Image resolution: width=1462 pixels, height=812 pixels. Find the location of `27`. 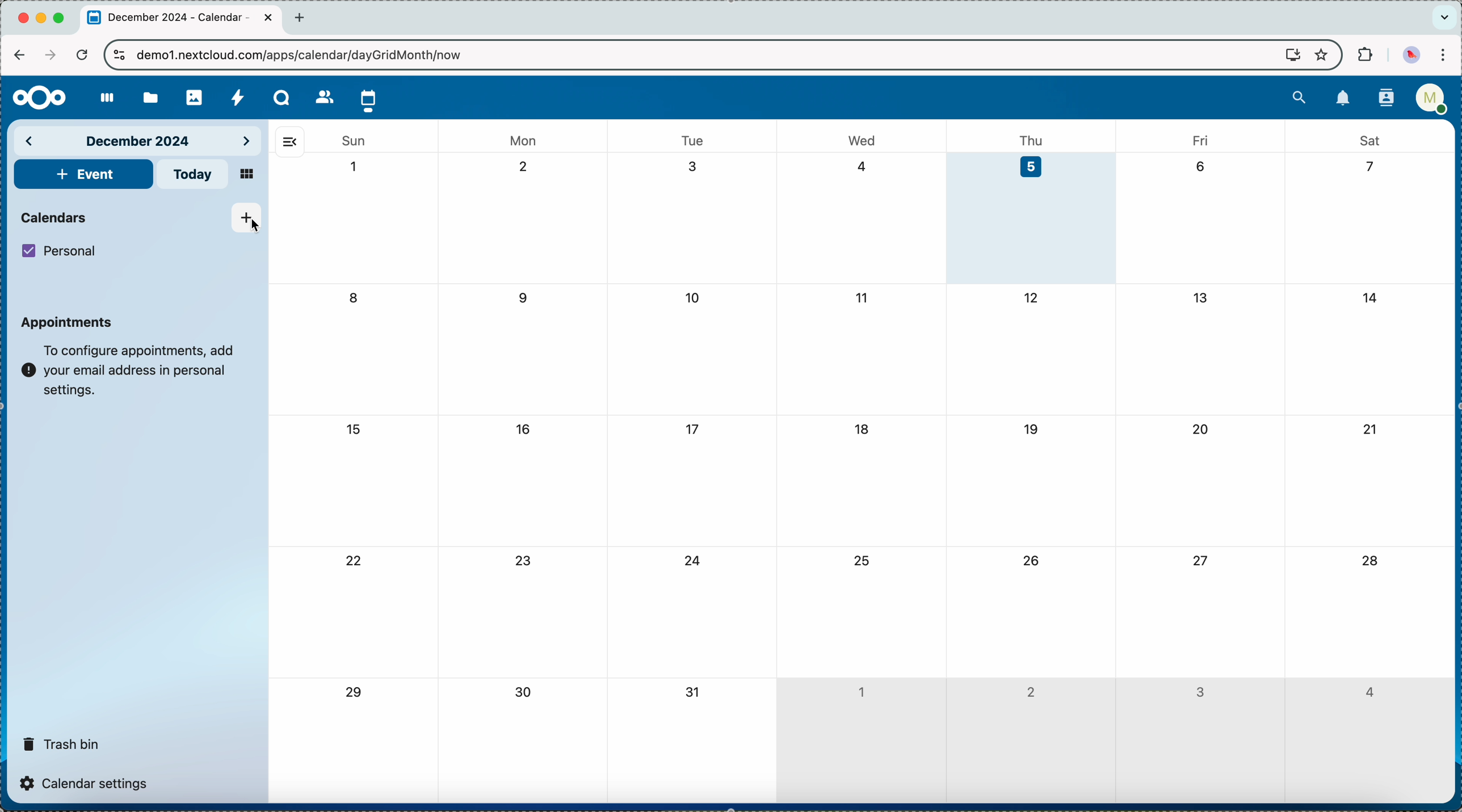

27 is located at coordinates (1199, 559).